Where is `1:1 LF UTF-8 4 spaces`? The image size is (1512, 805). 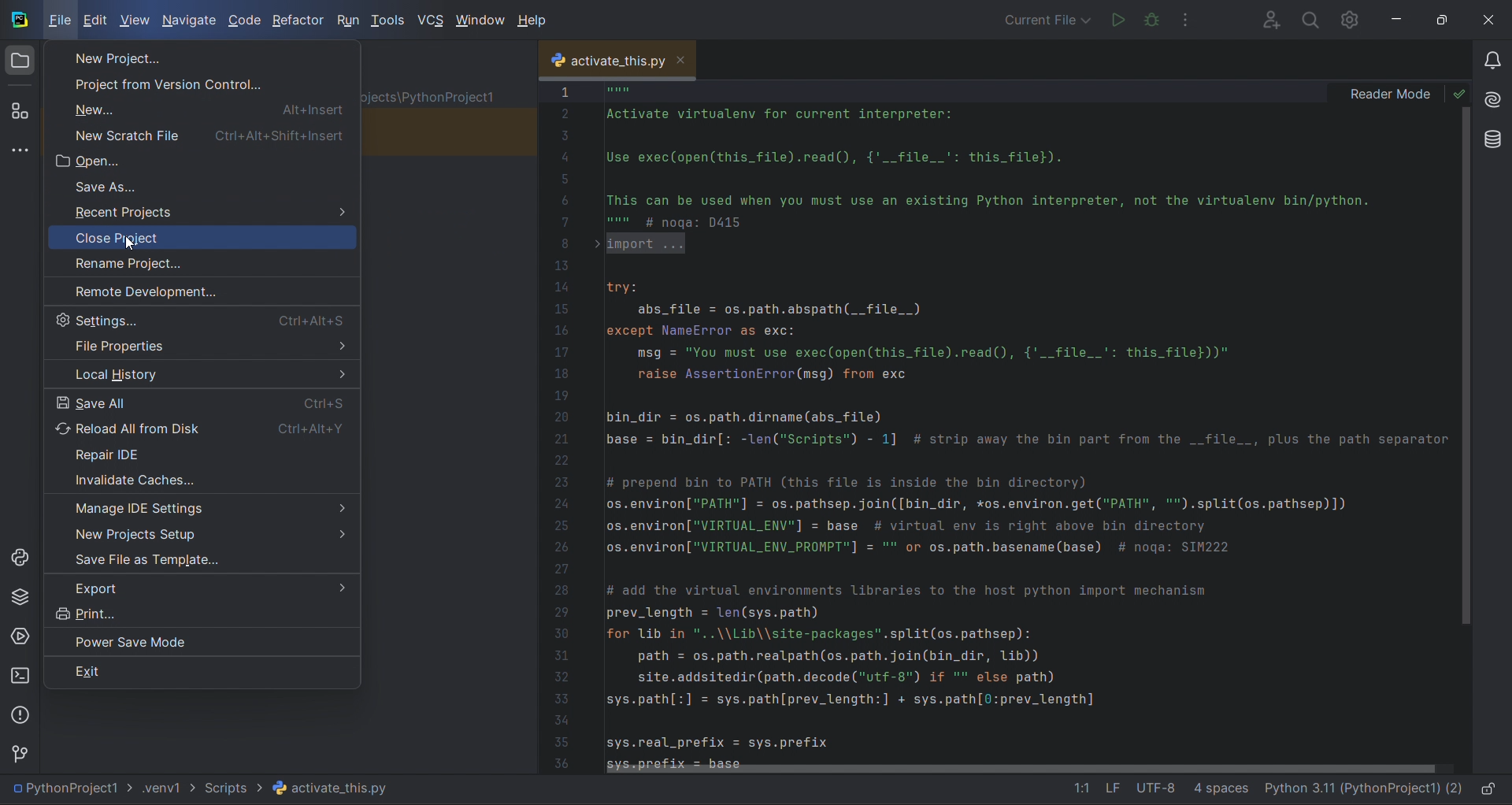
1:1 LF UTF-8 4 spaces is located at coordinates (1152, 789).